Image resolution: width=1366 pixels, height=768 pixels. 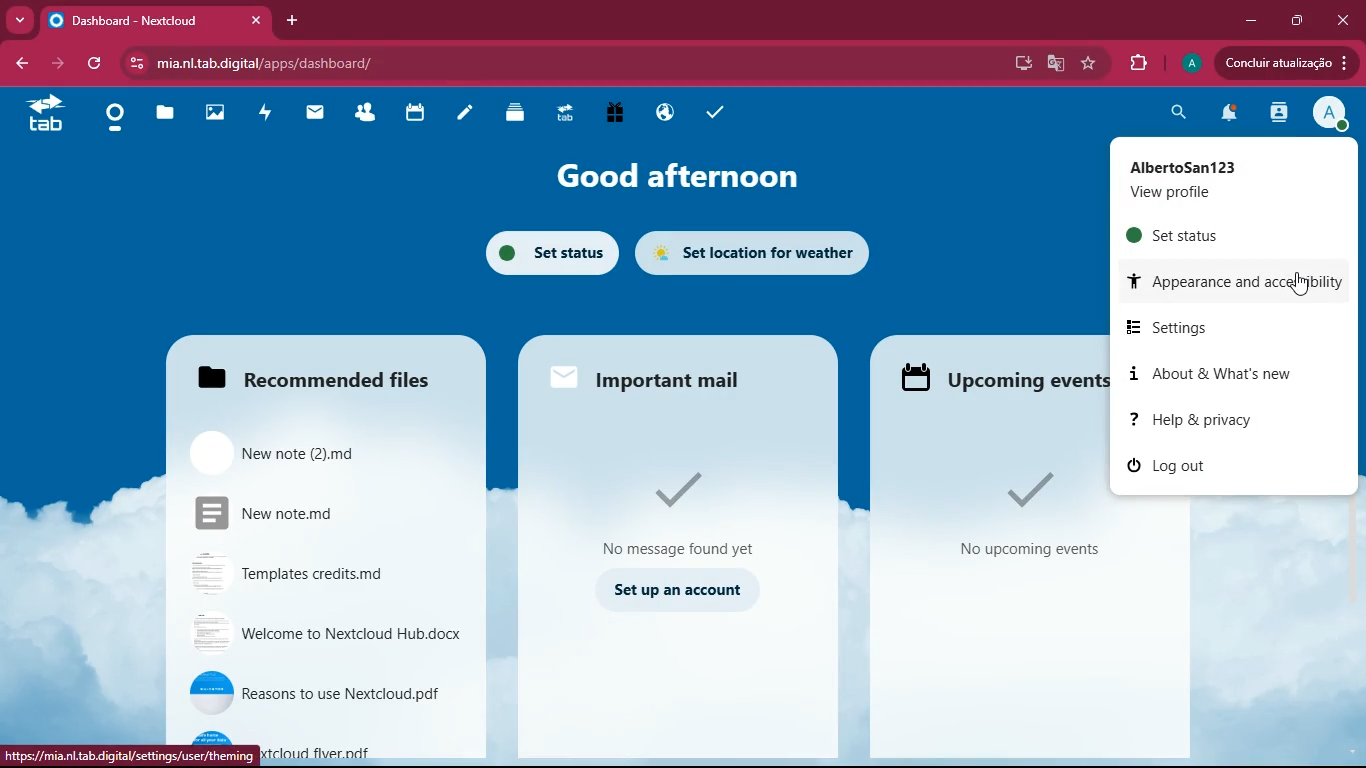 I want to click on New note (2).md, so click(x=306, y=450).